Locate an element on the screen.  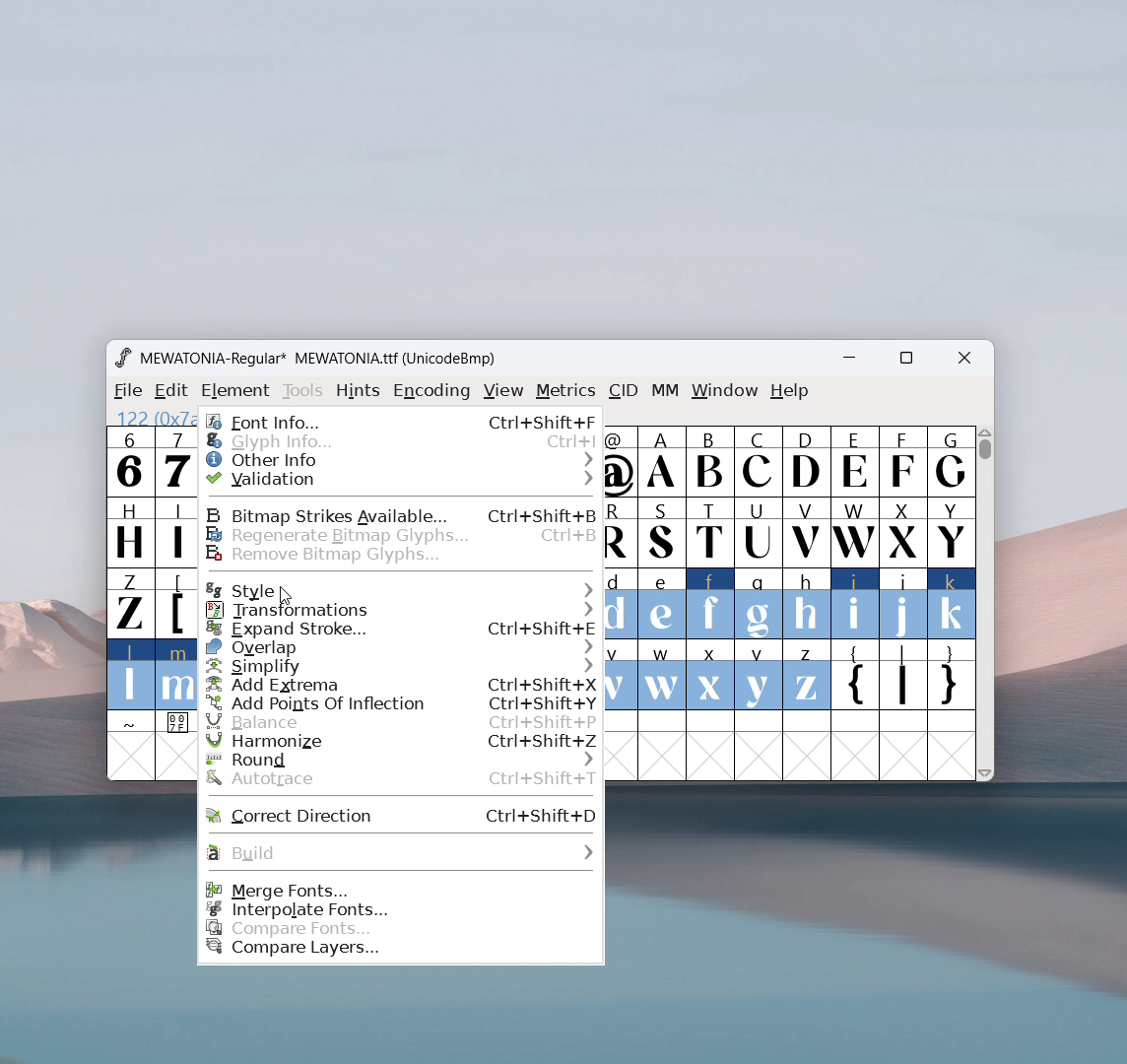
logo is located at coordinates (122, 358).